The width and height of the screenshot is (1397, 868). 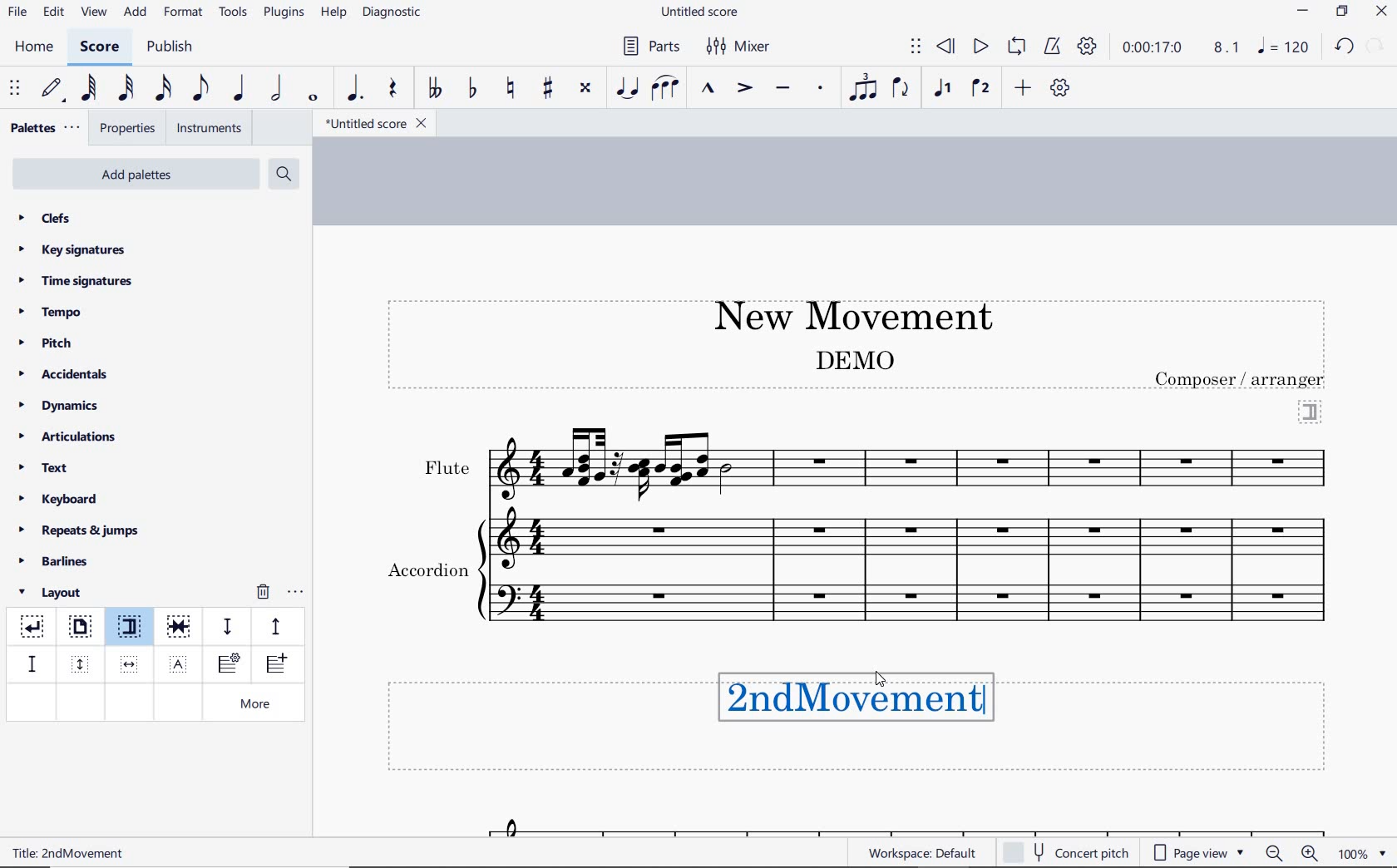 I want to click on Mixer, so click(x=739, y=47).